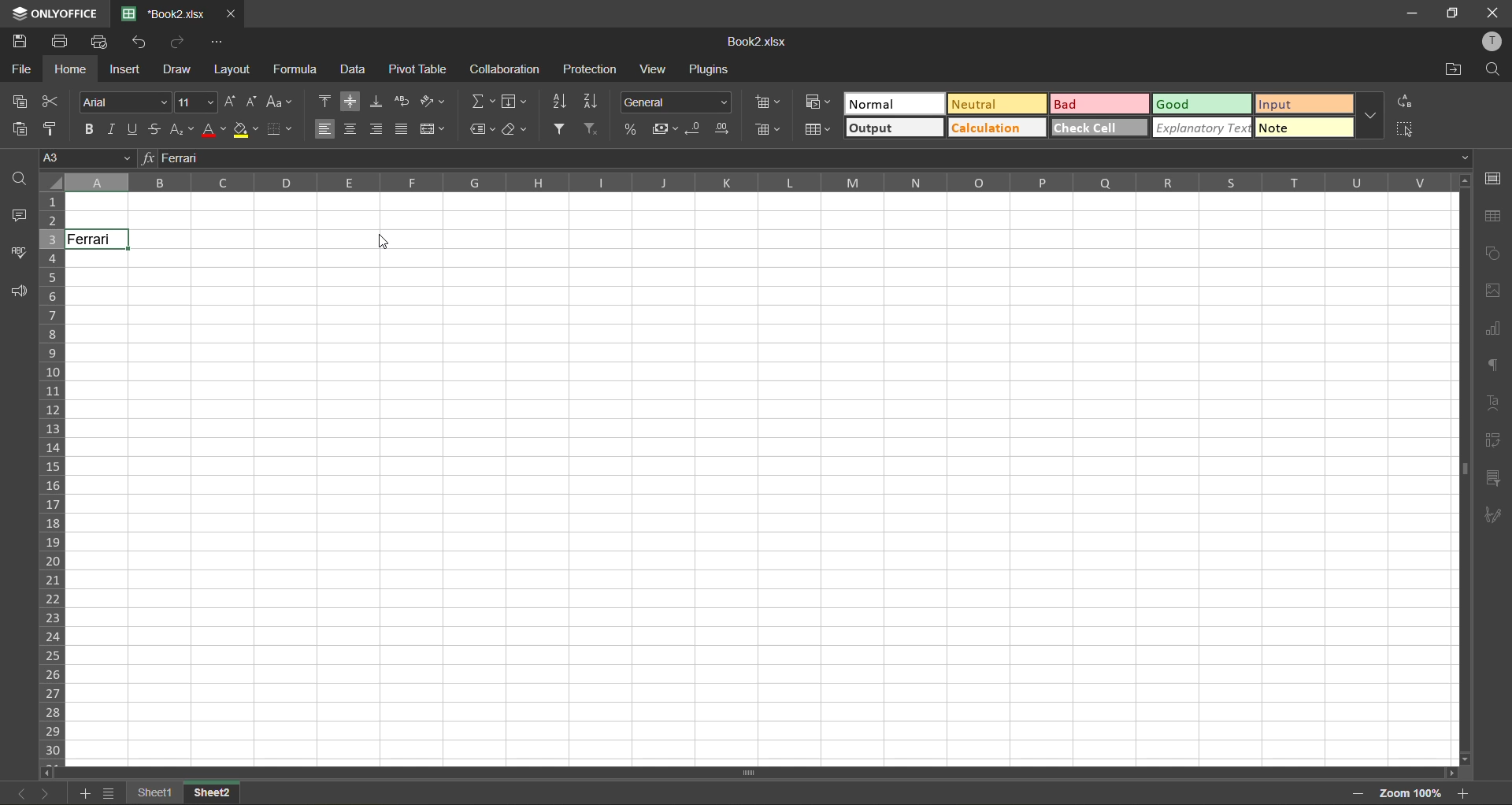 This screenshot has height=805, width=1512. Describe the element at coordinates (135, 130) in the screenshot. I see `underline` at that location.